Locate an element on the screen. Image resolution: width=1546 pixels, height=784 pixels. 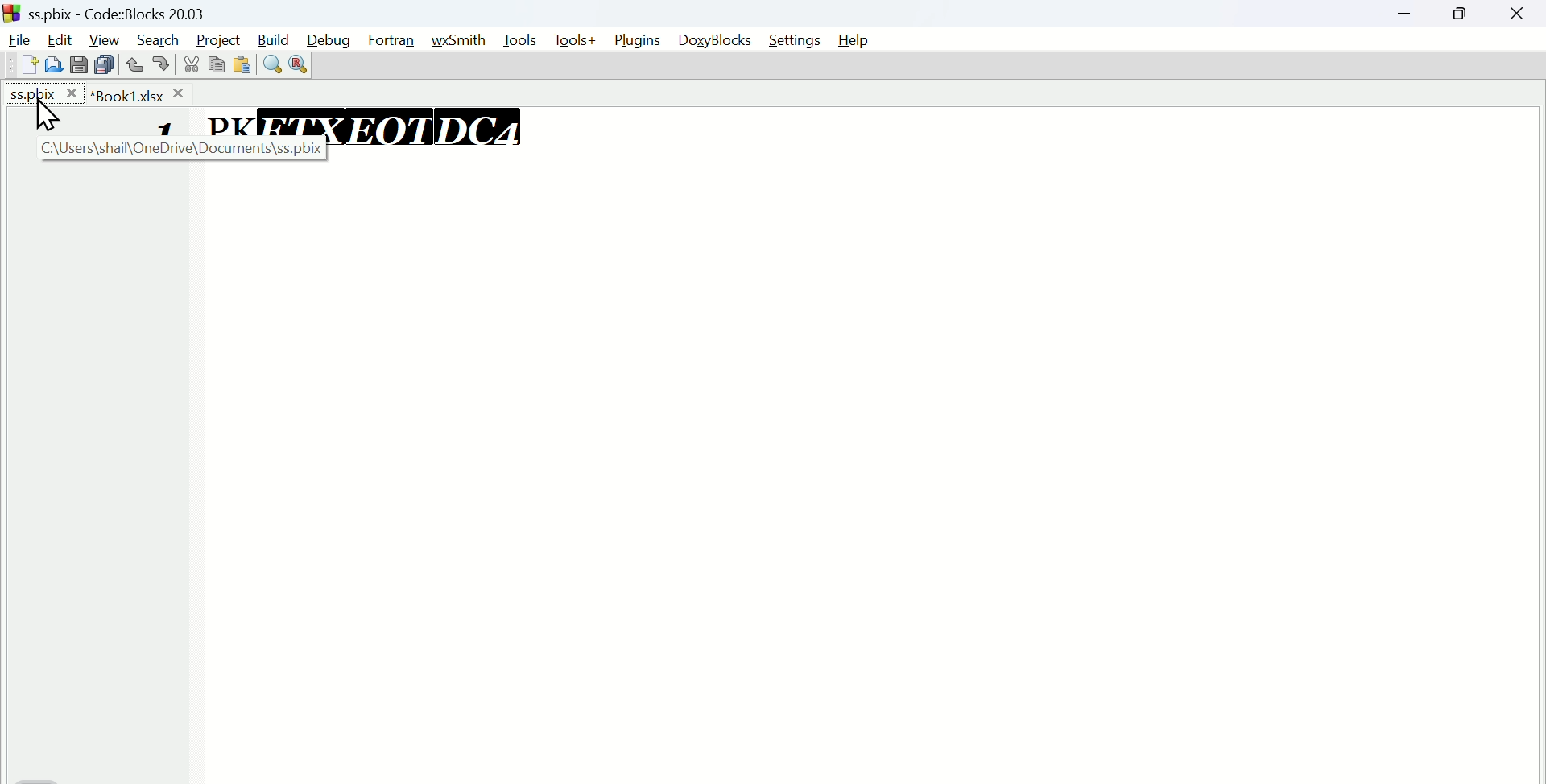
Edit is located at coordinates (62, 36).